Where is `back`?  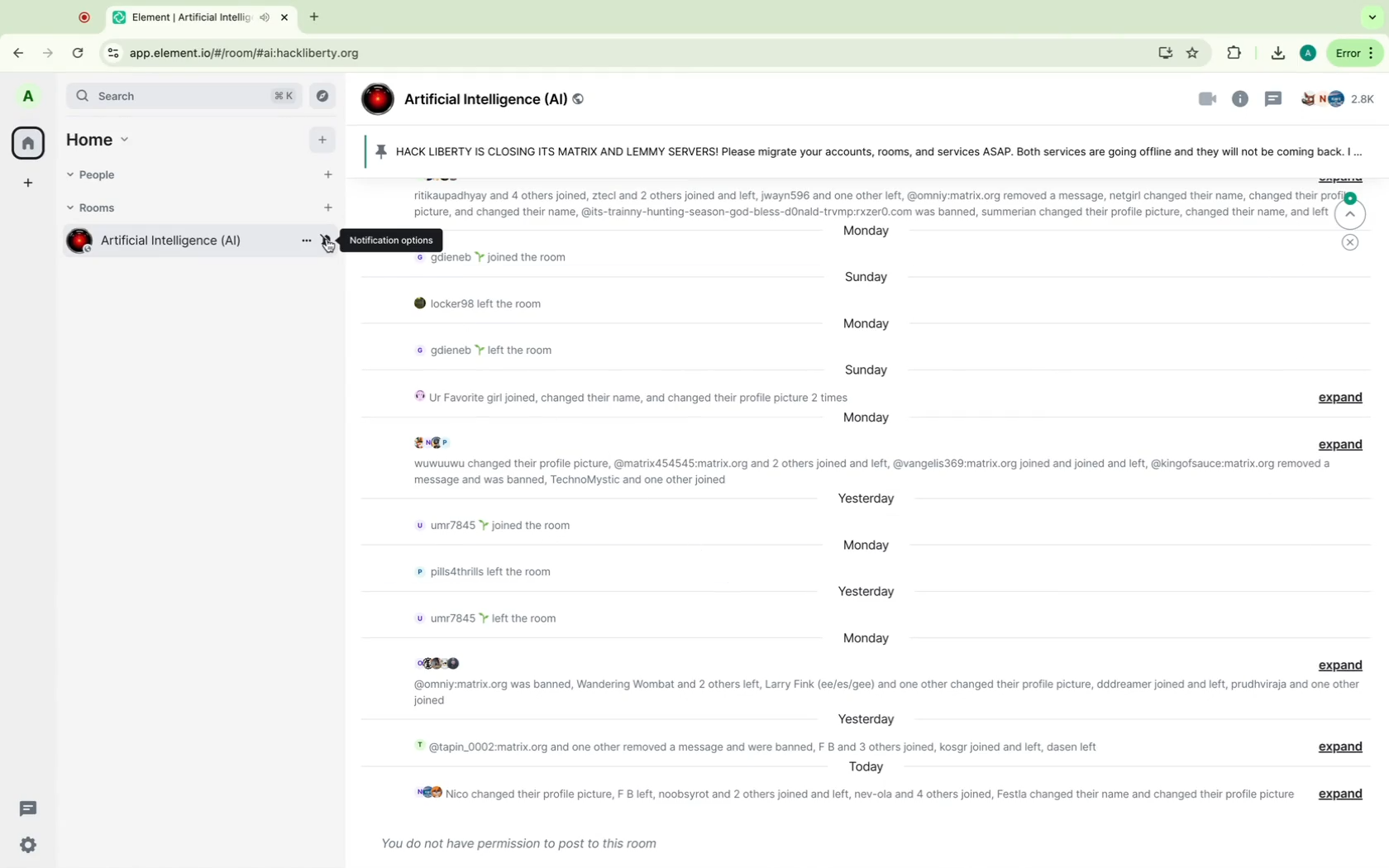 back is located at coordinates (17, 53).